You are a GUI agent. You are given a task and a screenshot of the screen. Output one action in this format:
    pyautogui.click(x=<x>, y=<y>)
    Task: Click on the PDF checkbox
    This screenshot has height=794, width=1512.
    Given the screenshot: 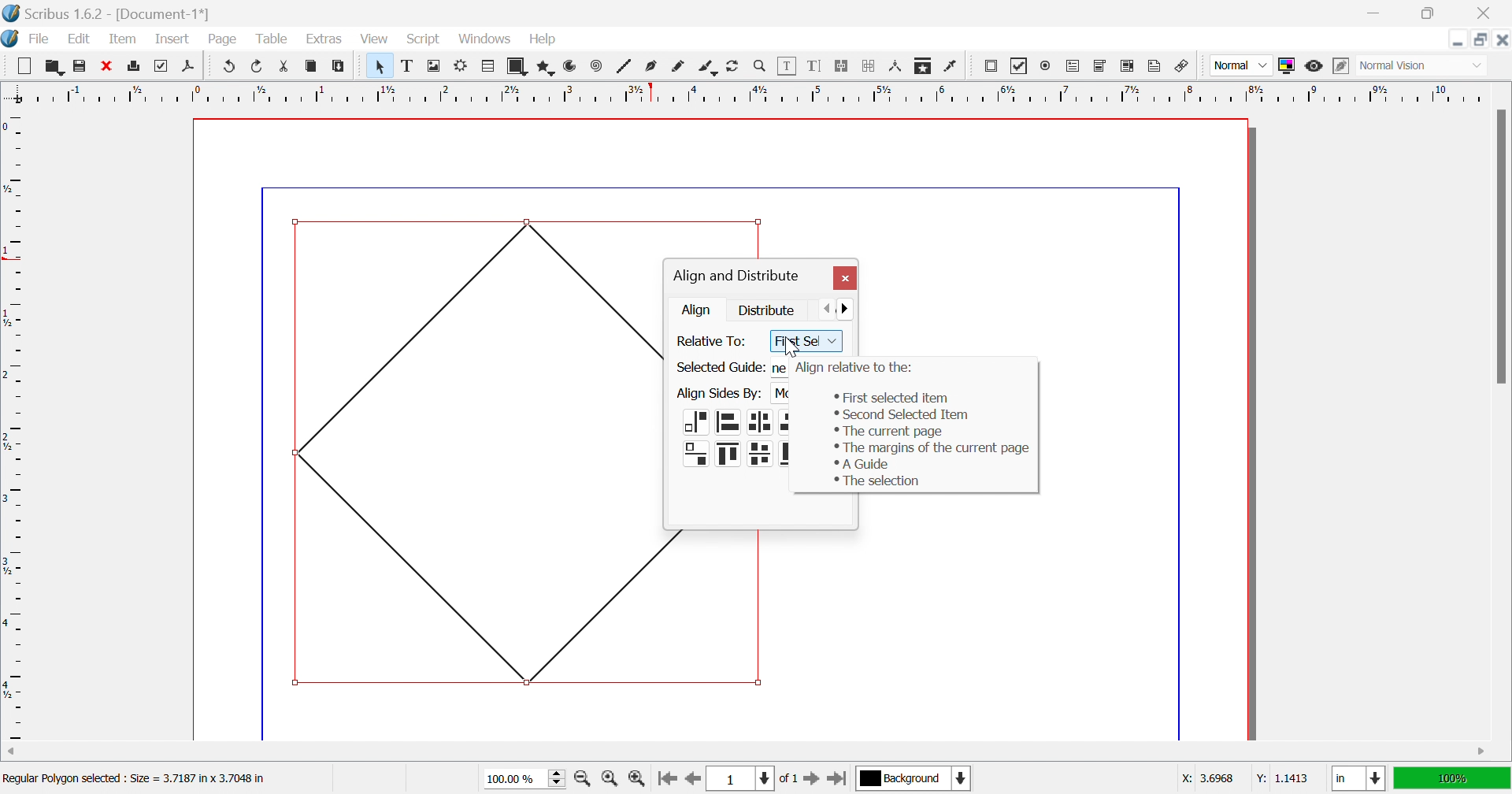 What is the action you would take?
    pyautogui.click(x=1019, y=66)
    